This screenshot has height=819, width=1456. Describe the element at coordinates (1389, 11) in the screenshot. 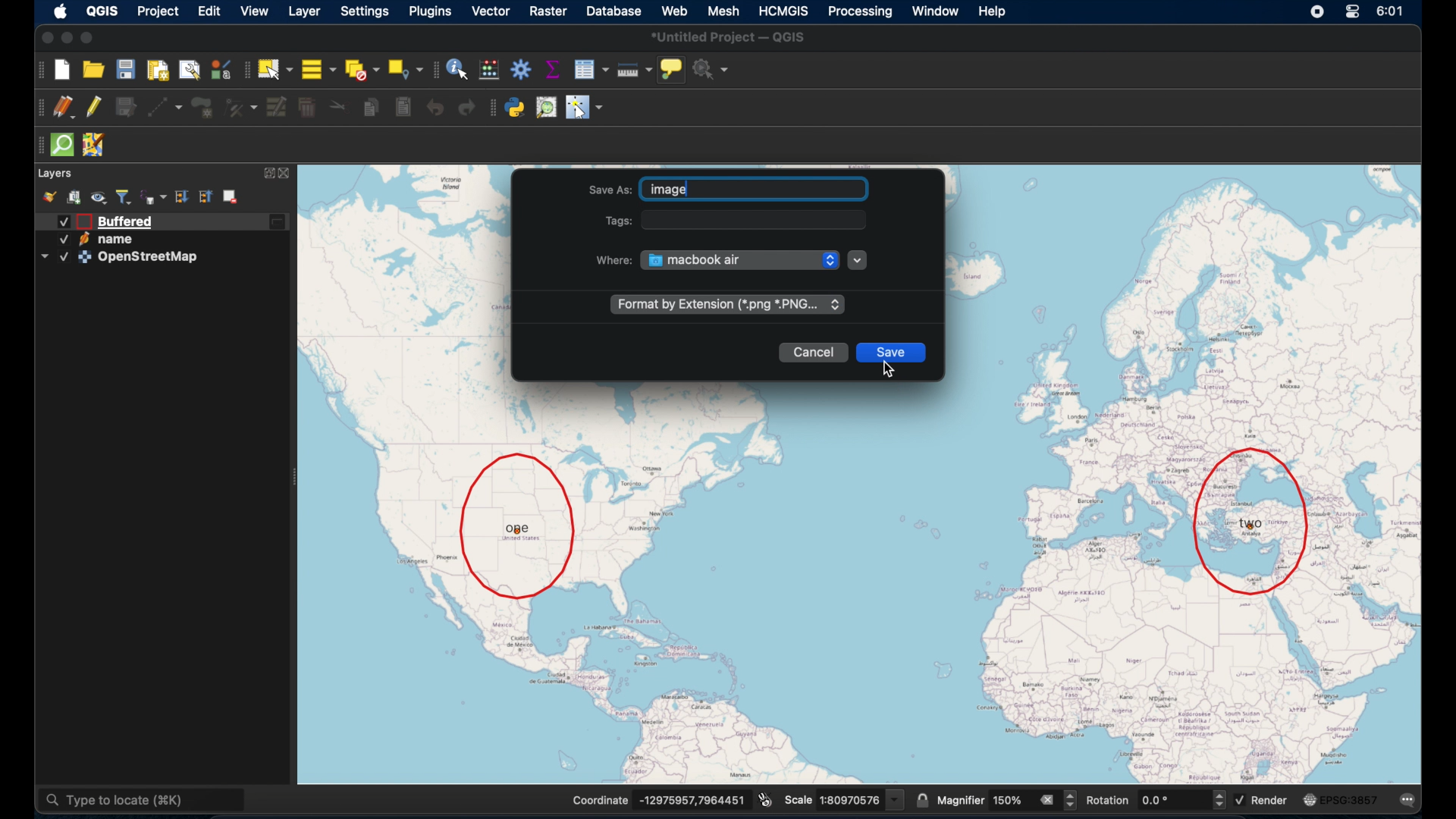

I see `time 6:01` at that location.